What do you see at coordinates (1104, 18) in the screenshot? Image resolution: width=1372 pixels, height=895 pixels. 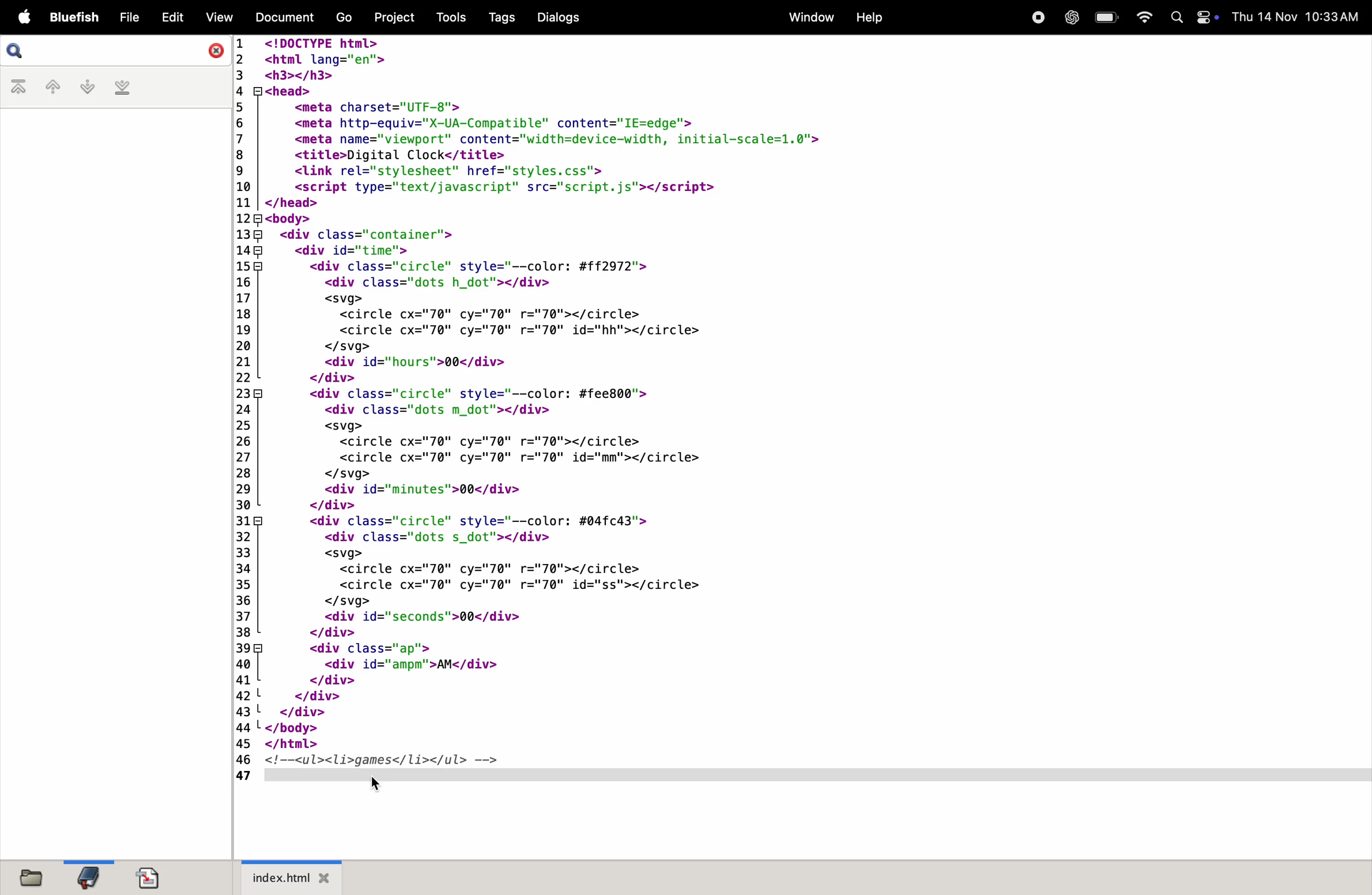 I see `battery` at bounding box center [1104, 18].